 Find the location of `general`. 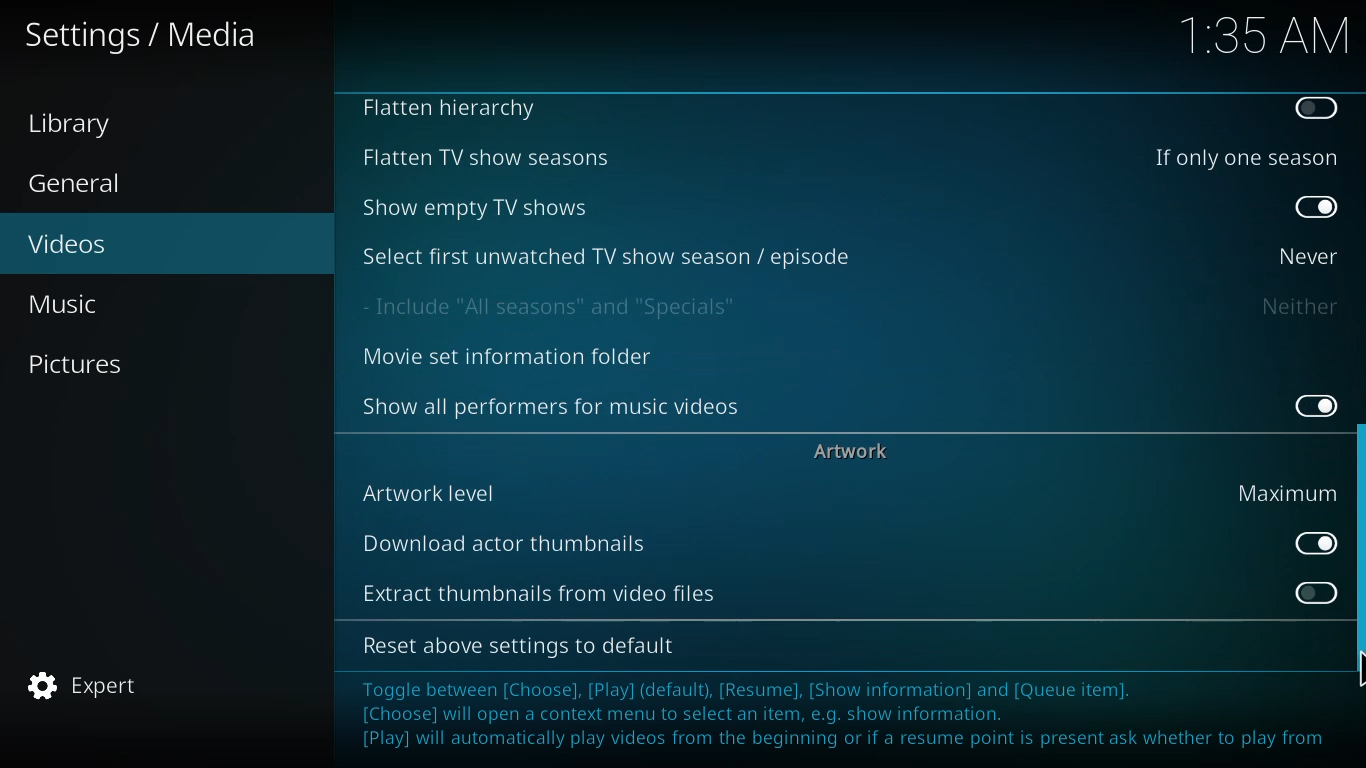

general is located at coordinates (79, 184).